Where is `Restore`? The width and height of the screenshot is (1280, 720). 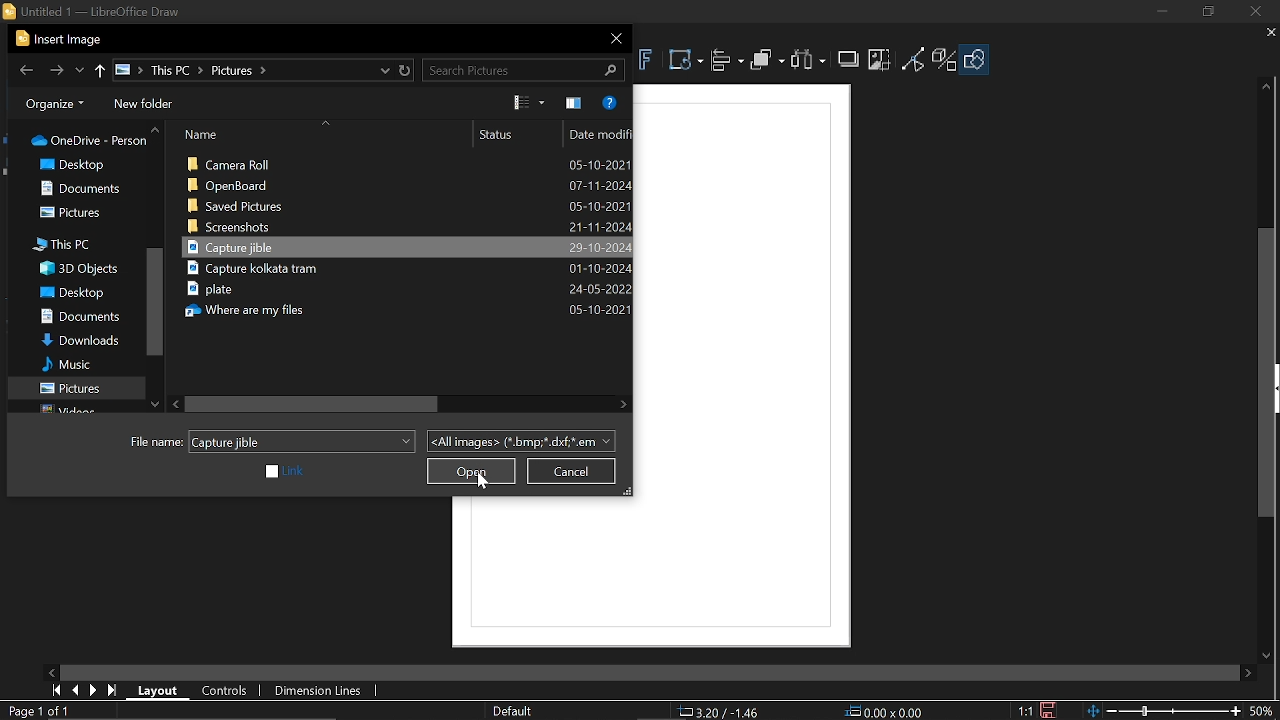 Restore is located at coordinates (406, 69).